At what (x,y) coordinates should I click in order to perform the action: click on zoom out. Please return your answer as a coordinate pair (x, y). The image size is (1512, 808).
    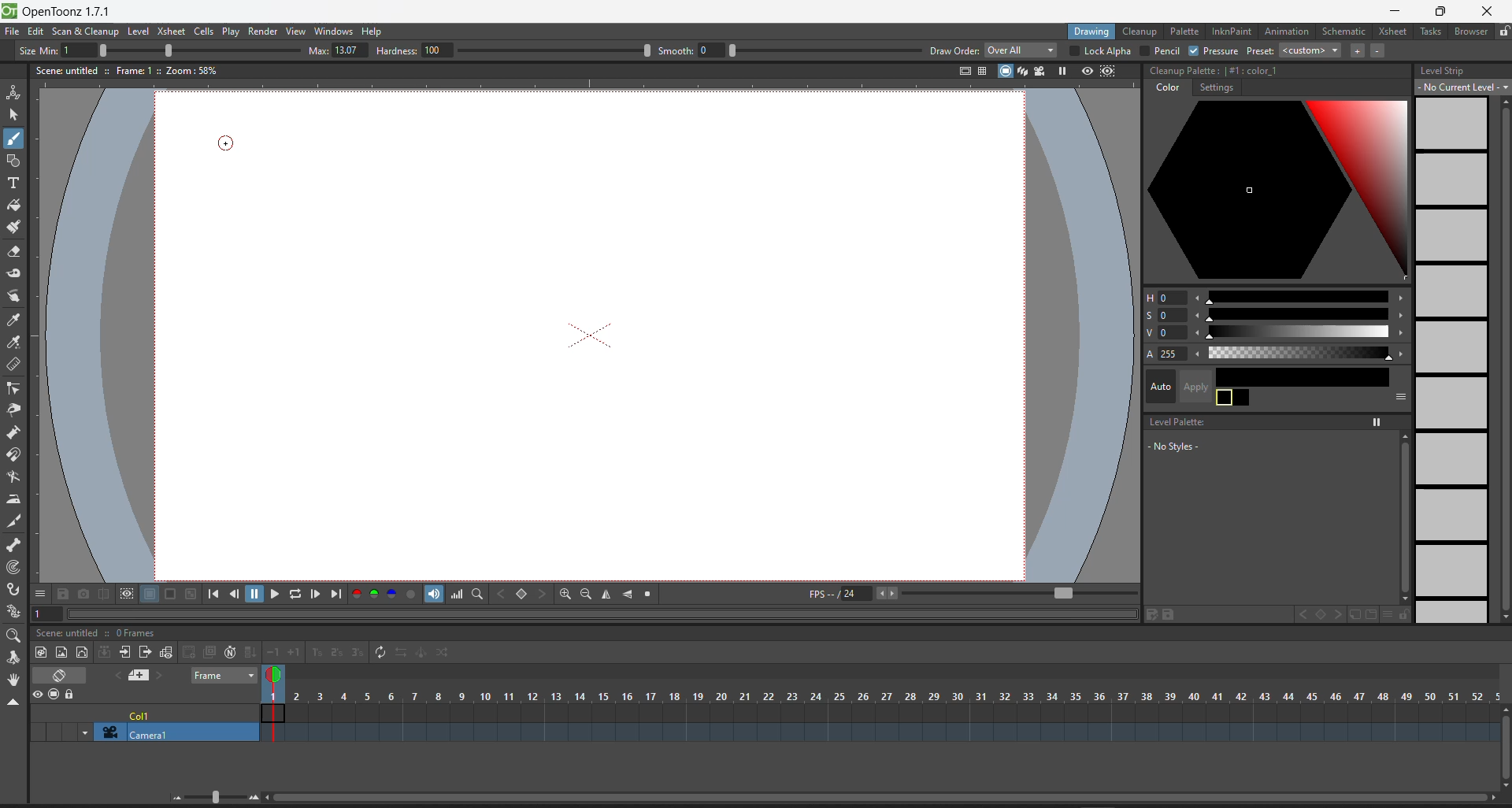
    Looking at the image, I should click on (175, 801).